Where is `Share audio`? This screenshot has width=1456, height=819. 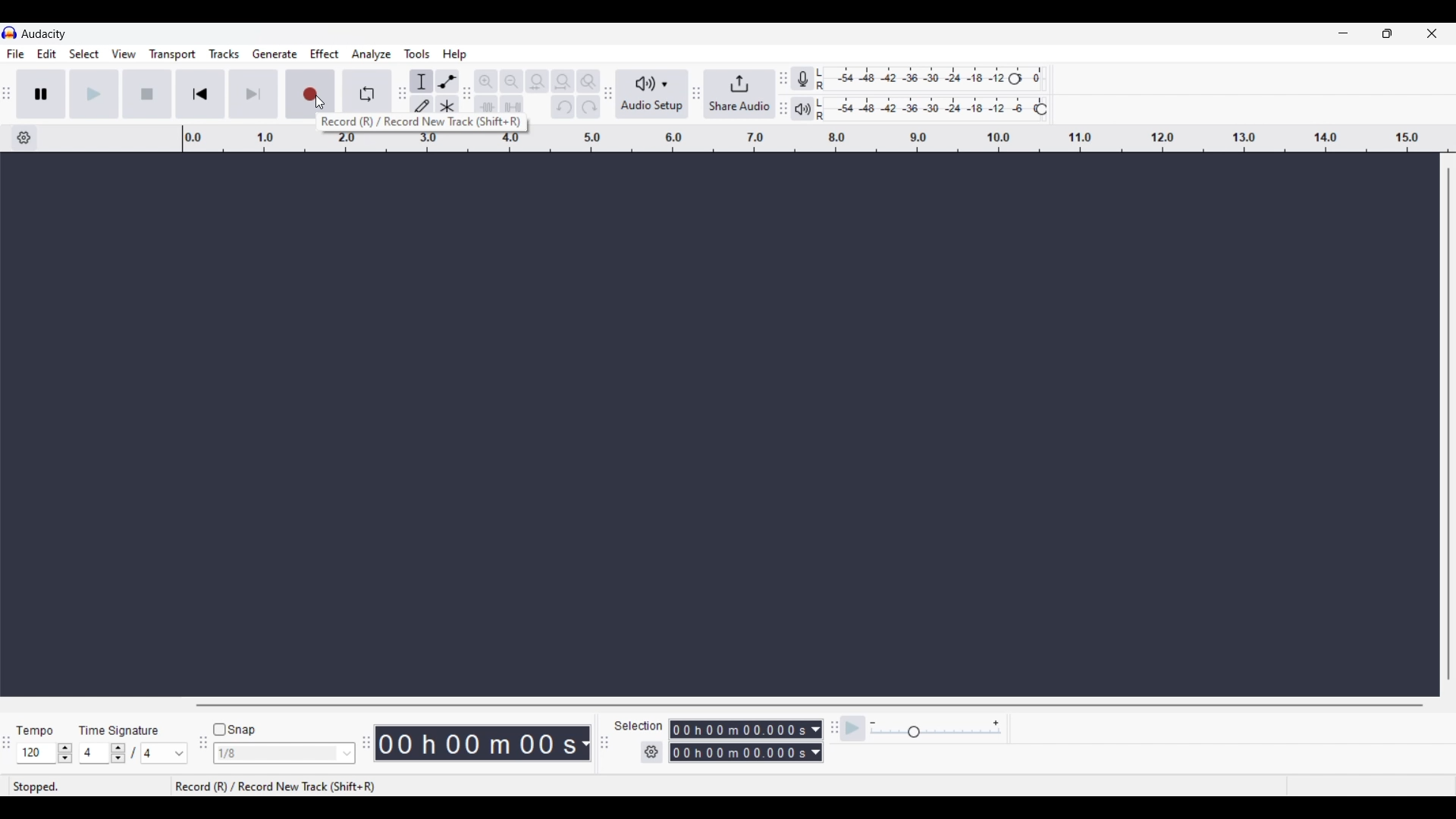
Share audio is located at coordinates (739, 94).